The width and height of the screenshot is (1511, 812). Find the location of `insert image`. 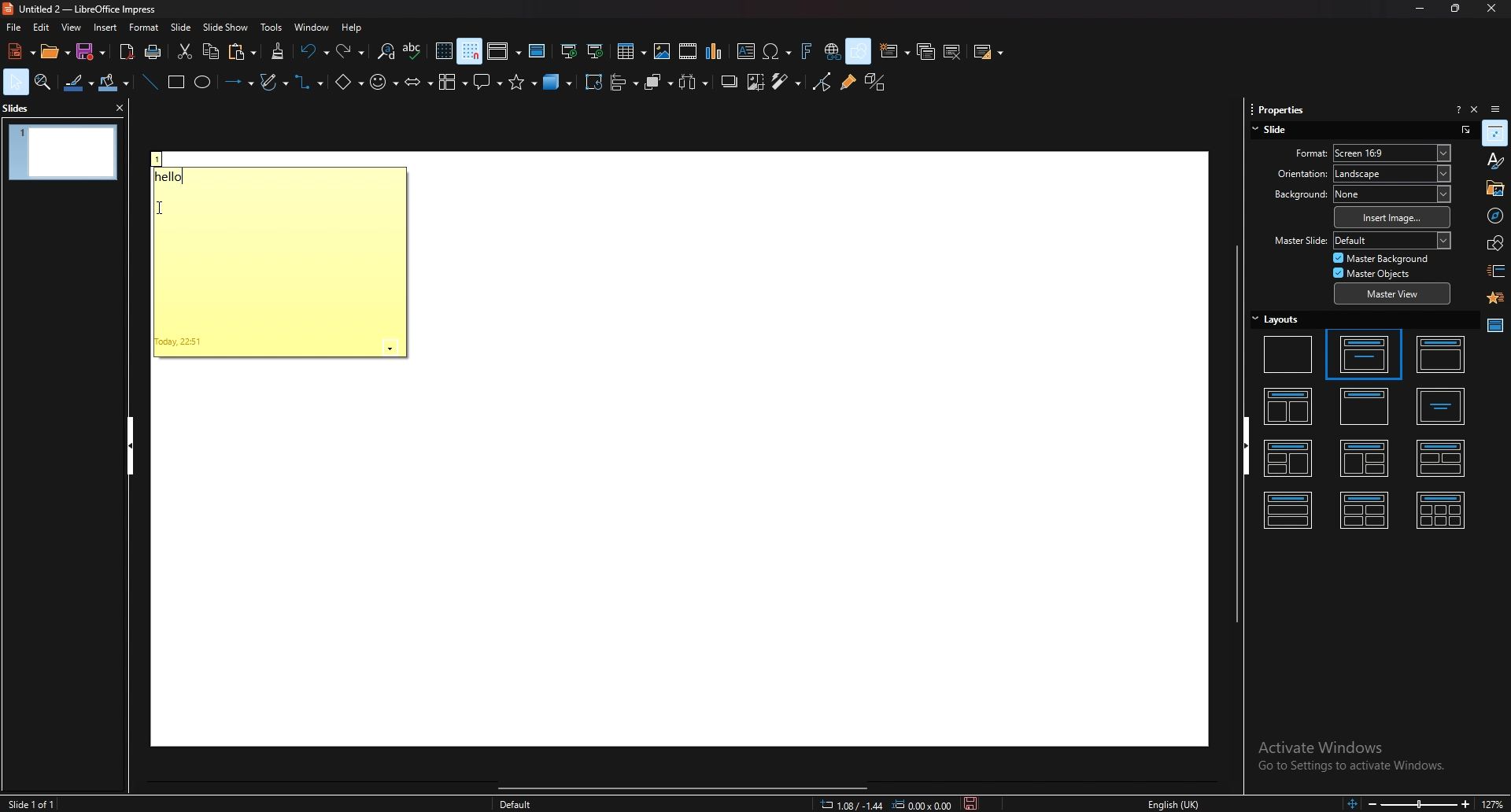

insert image is located at coordinates (661, 51).